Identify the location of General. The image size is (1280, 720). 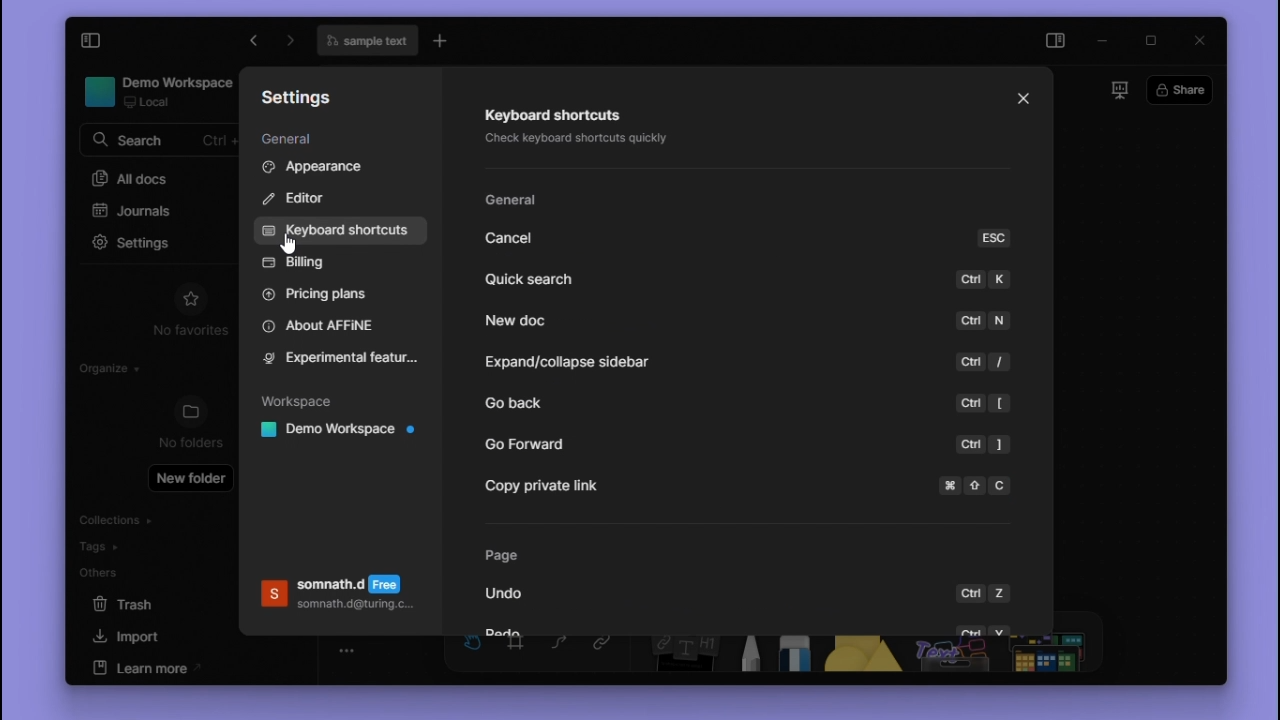
(515, 202).